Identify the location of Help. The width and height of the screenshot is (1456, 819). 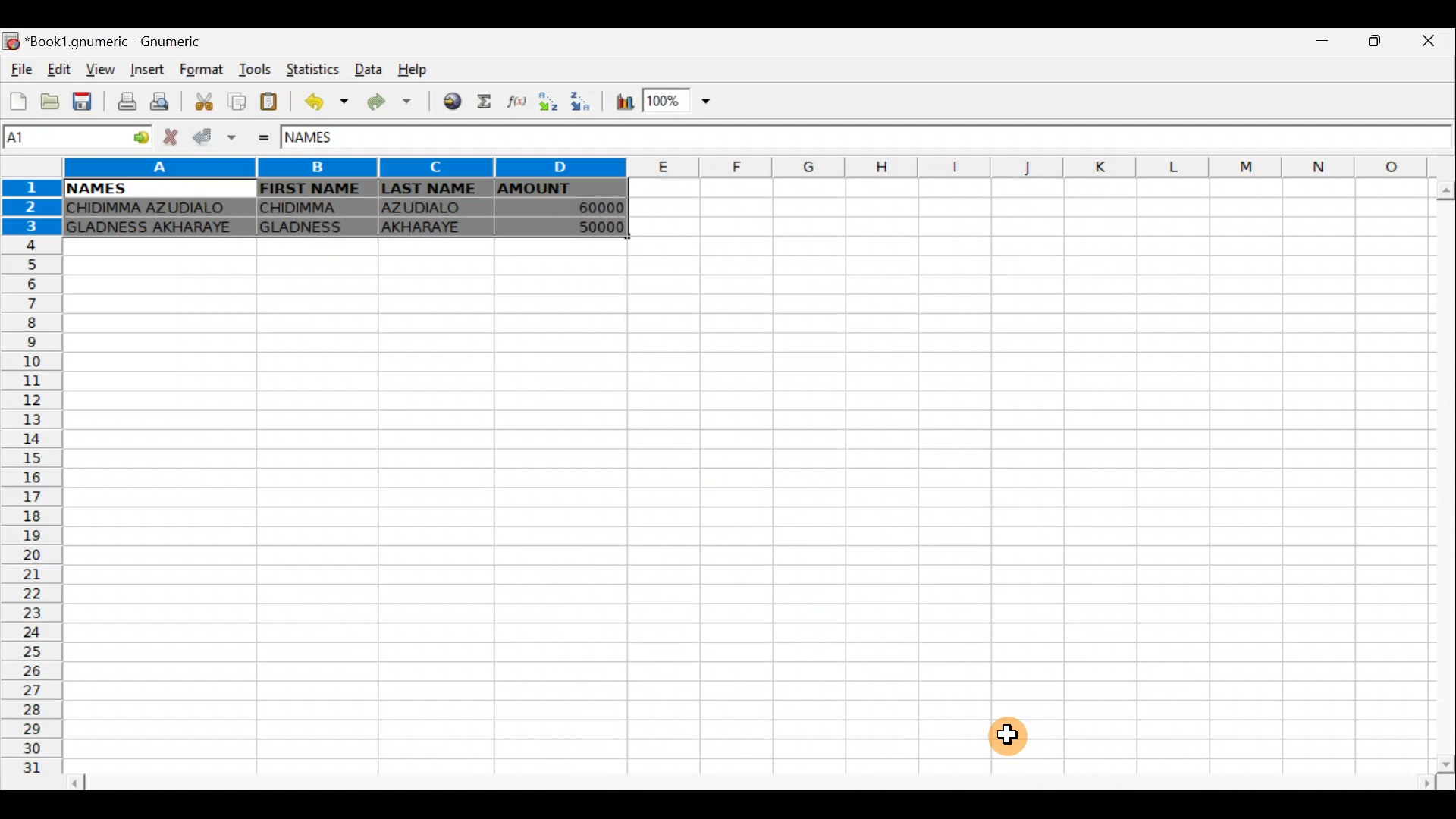
(423, 66).